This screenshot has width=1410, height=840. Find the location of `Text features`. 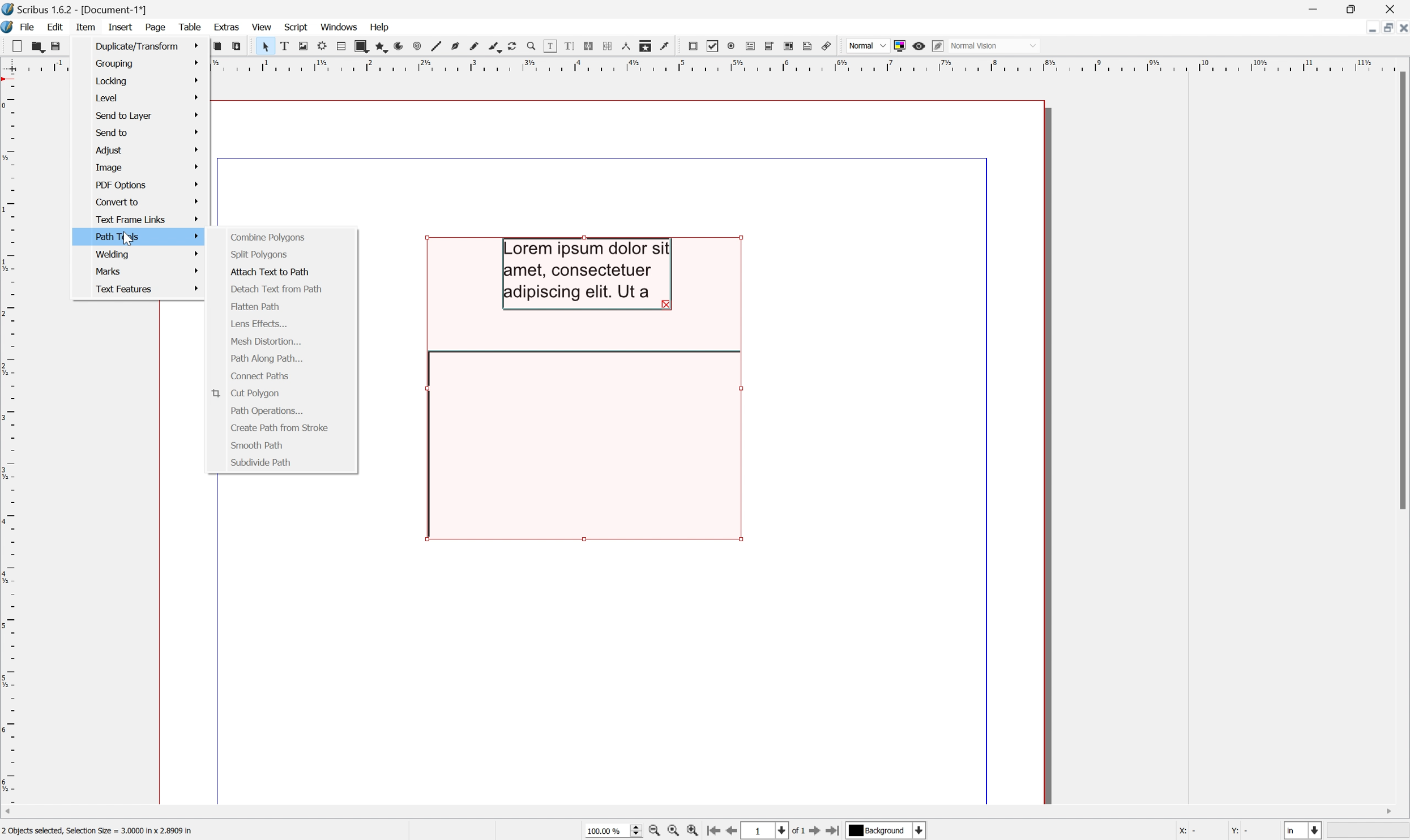

Text features is located at coordinates (148, 290).